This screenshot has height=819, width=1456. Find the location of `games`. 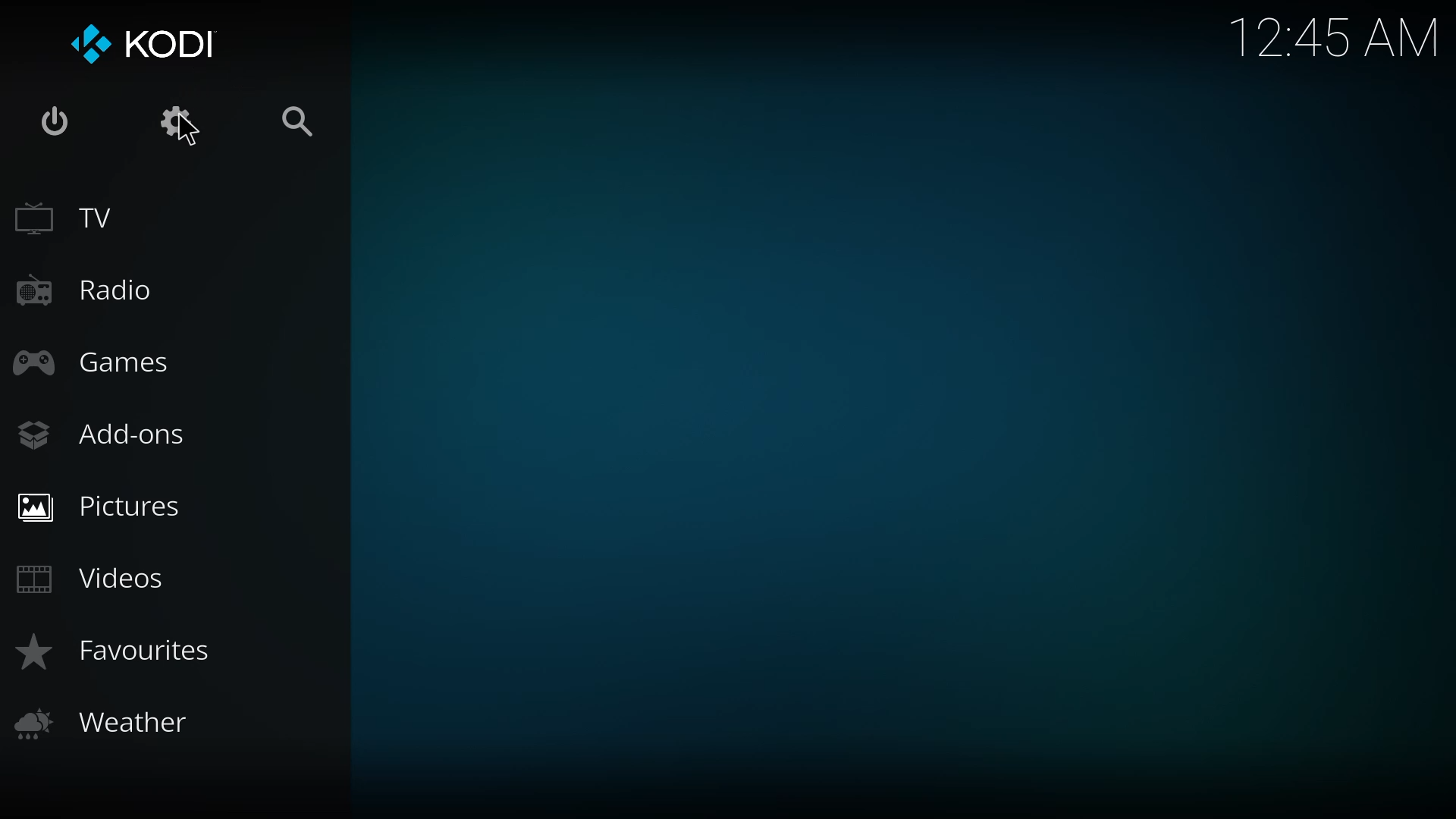

games is located at coordinates (101, 362).